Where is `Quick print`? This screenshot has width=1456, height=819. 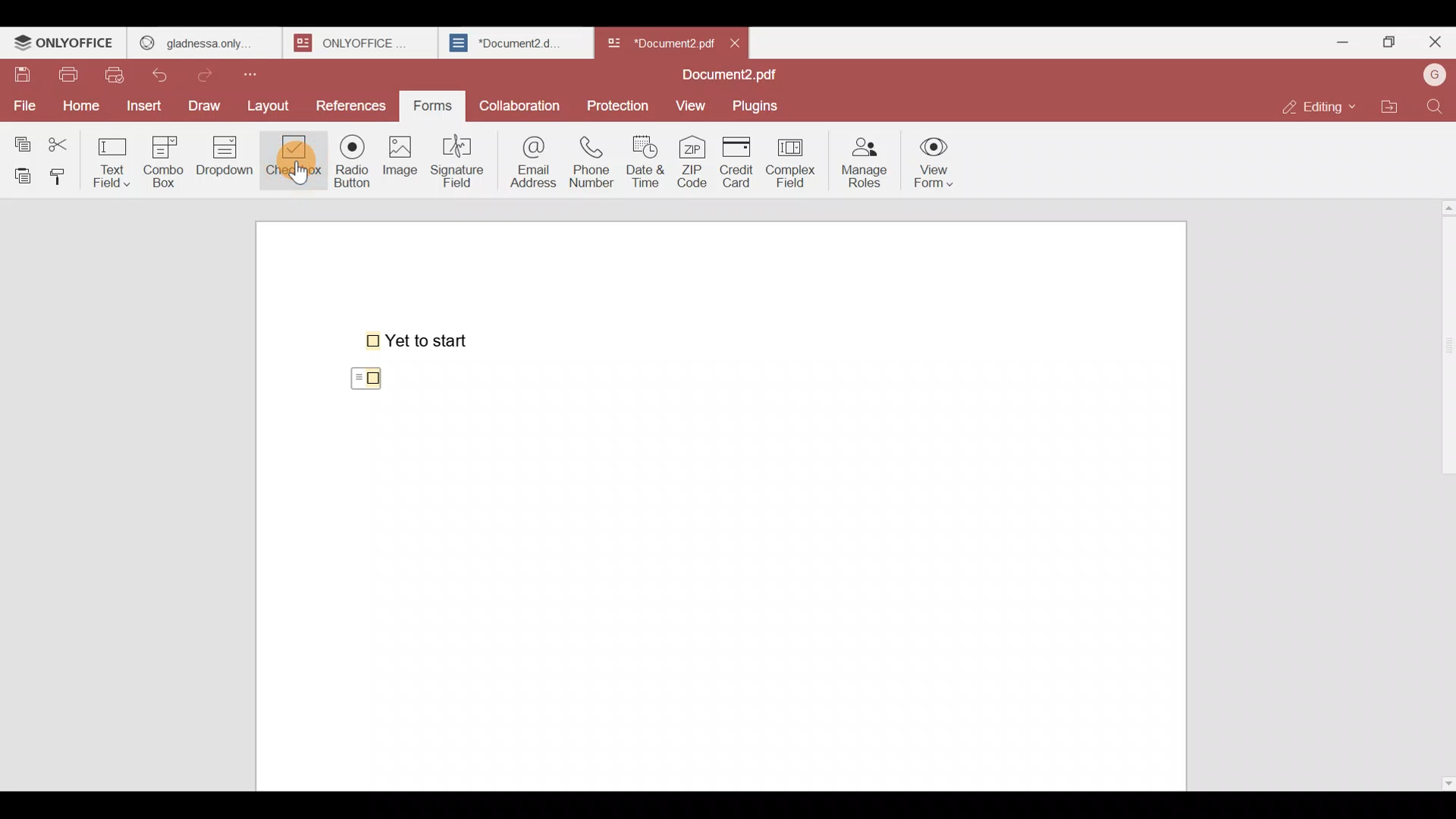 Quick print is located at coordinates (119, 74).